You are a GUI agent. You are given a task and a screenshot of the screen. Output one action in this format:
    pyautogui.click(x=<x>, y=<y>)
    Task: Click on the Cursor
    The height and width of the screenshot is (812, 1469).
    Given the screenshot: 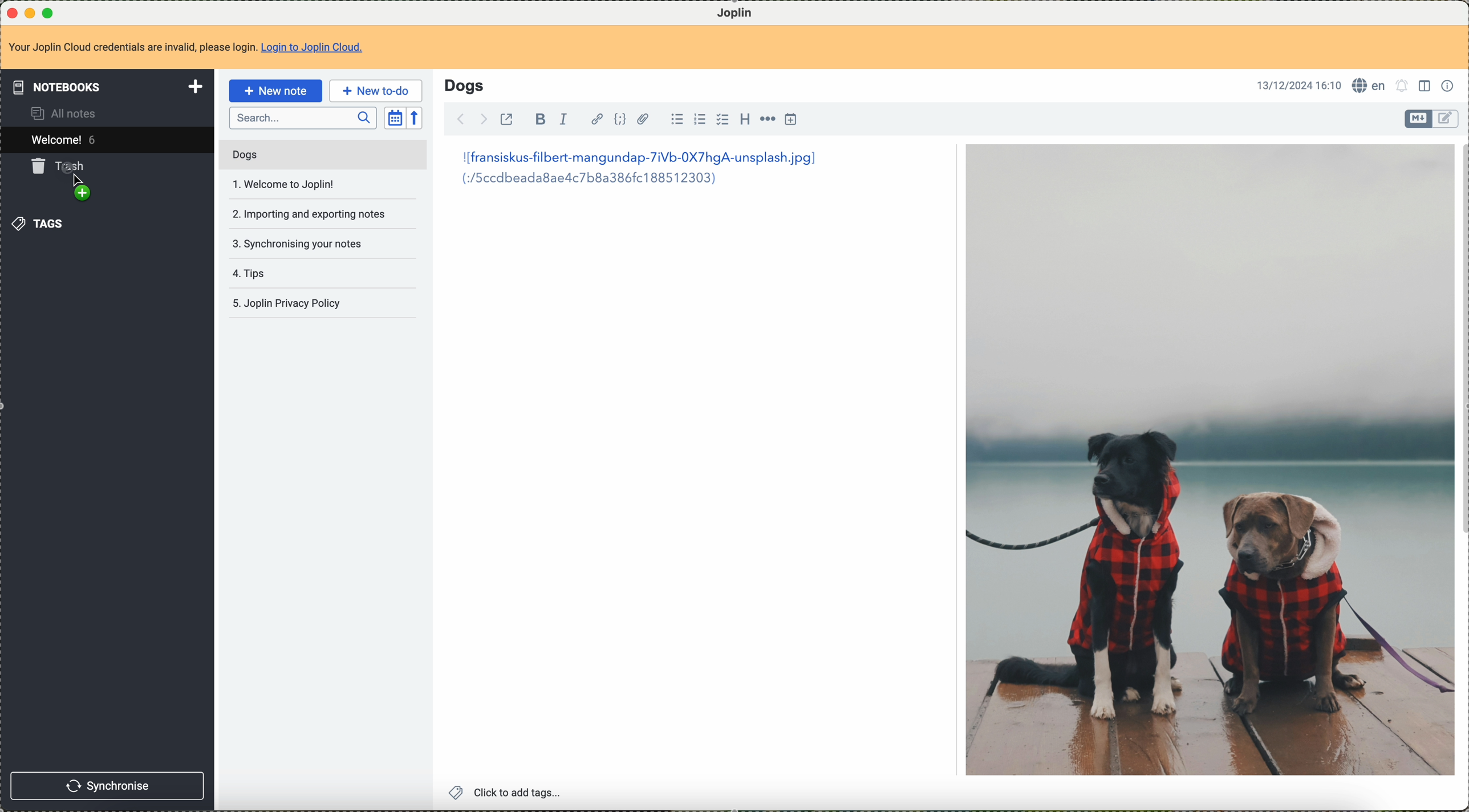 What is the action you would take?
    pyautogui.click(x=74, y=183)
    